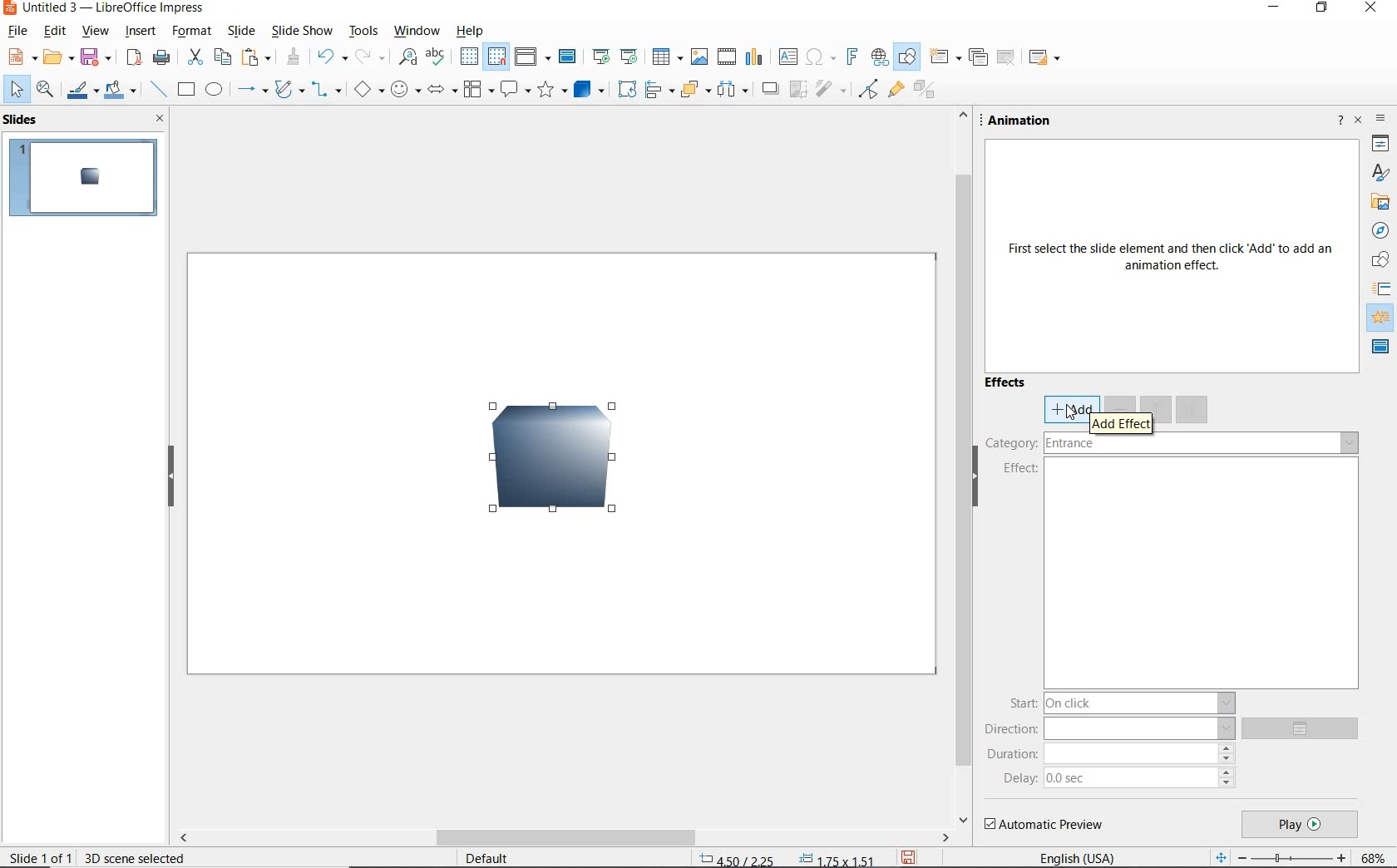 Image resolution: width=1397 pixels, height=868 pixels. I want to click on zoom and pan, so click(45, 91).